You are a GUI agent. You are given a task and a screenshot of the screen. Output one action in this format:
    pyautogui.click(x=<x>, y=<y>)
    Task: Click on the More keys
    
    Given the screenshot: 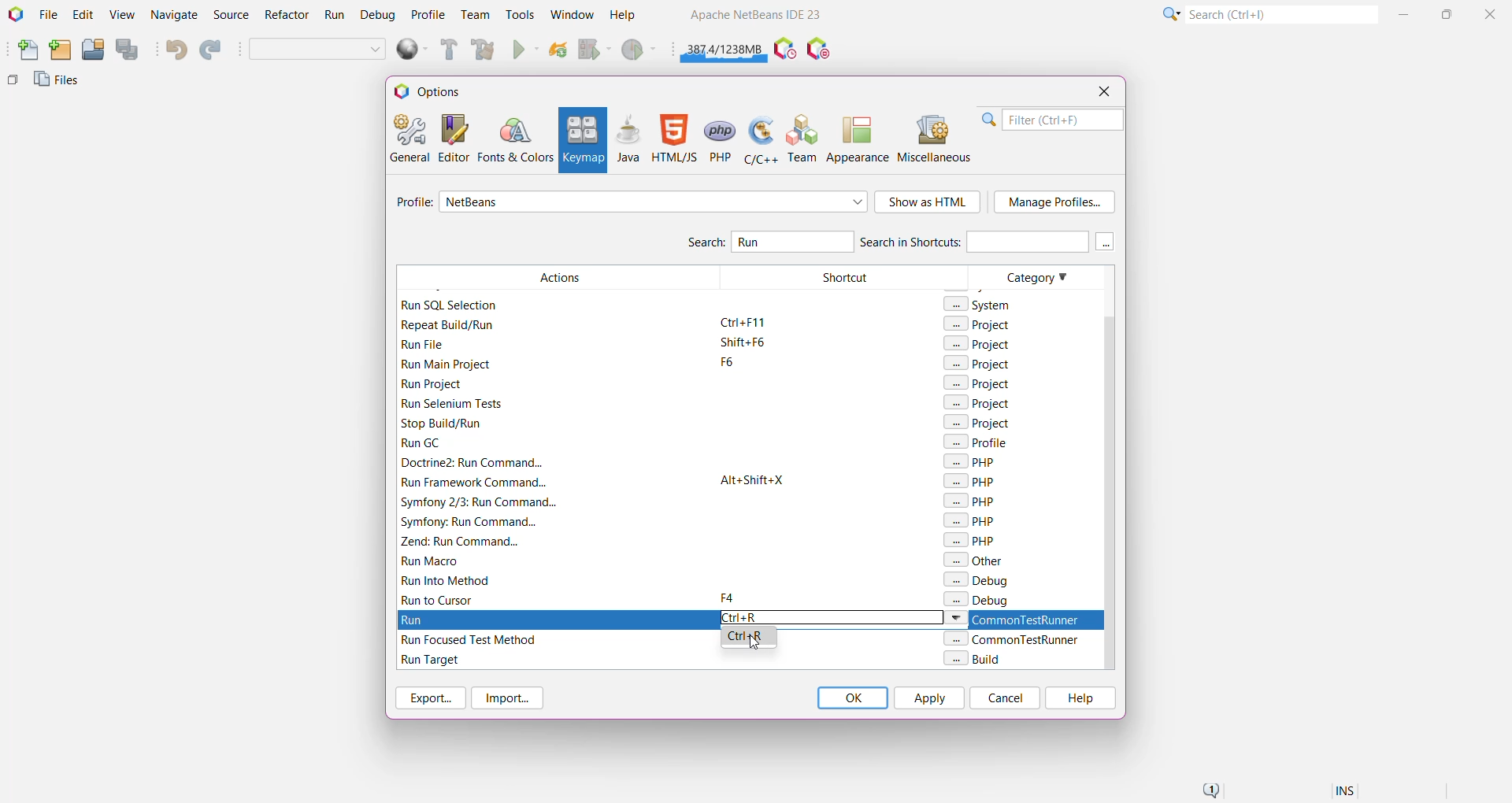 What is the action you would take?
    pyautogui.click(x=1106, y=242)
    